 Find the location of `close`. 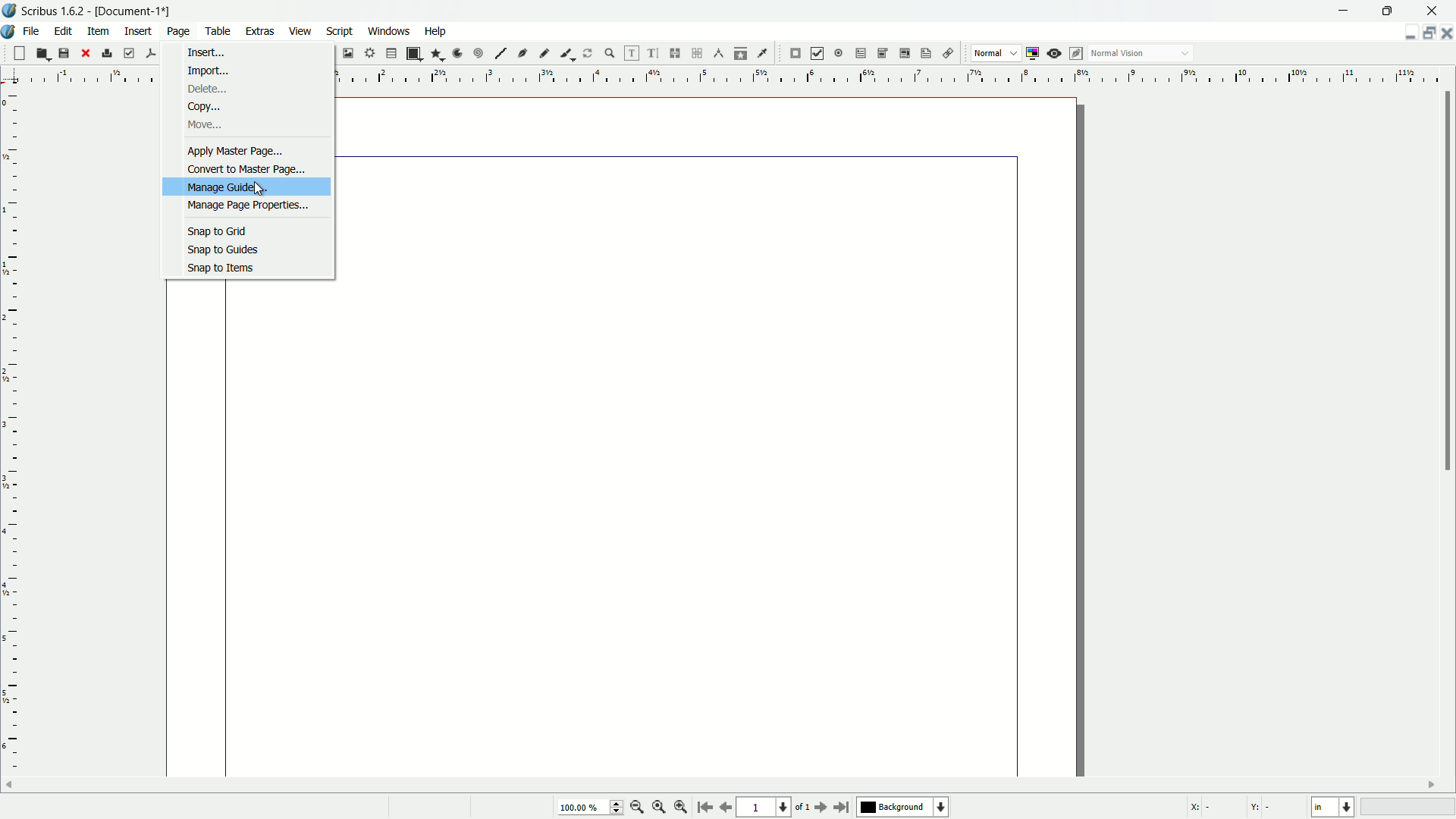

close is located at coordinates (85, 53).